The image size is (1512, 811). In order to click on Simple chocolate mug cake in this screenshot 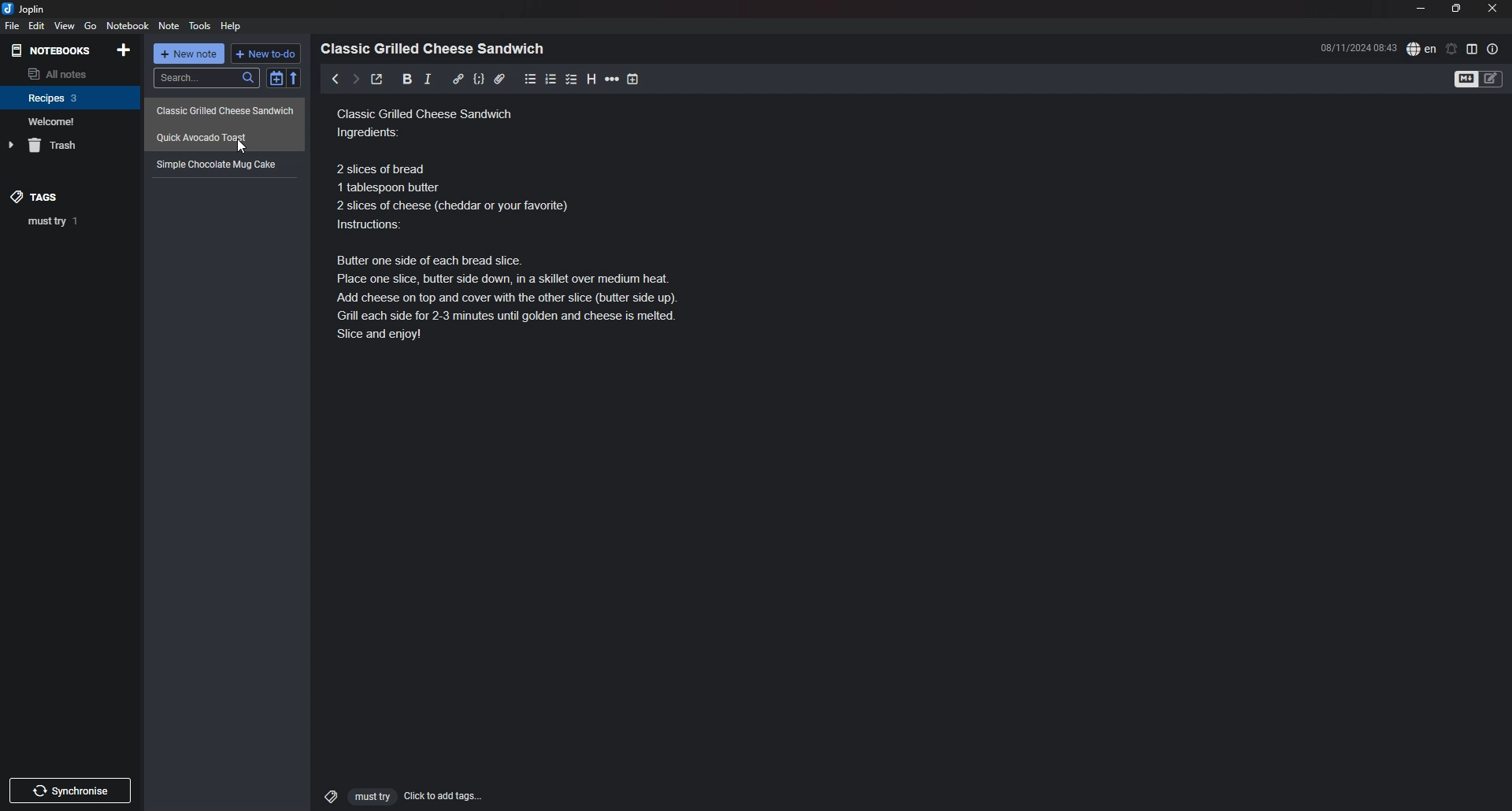, I will do `click(428, 149)`.